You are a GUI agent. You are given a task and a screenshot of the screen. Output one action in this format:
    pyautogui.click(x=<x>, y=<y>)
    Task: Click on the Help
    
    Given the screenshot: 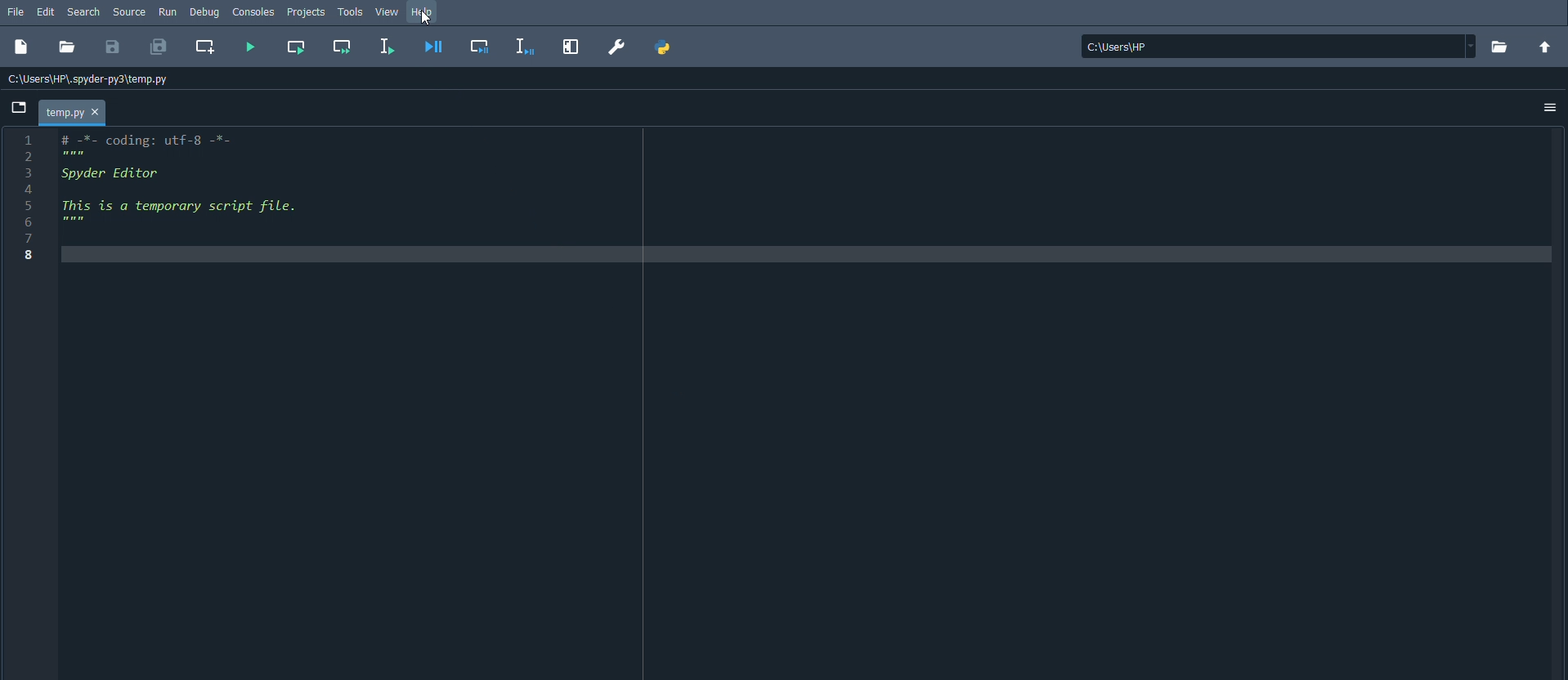 What is the action you would take?
    pyautogui.click(x=423, y=14)
    